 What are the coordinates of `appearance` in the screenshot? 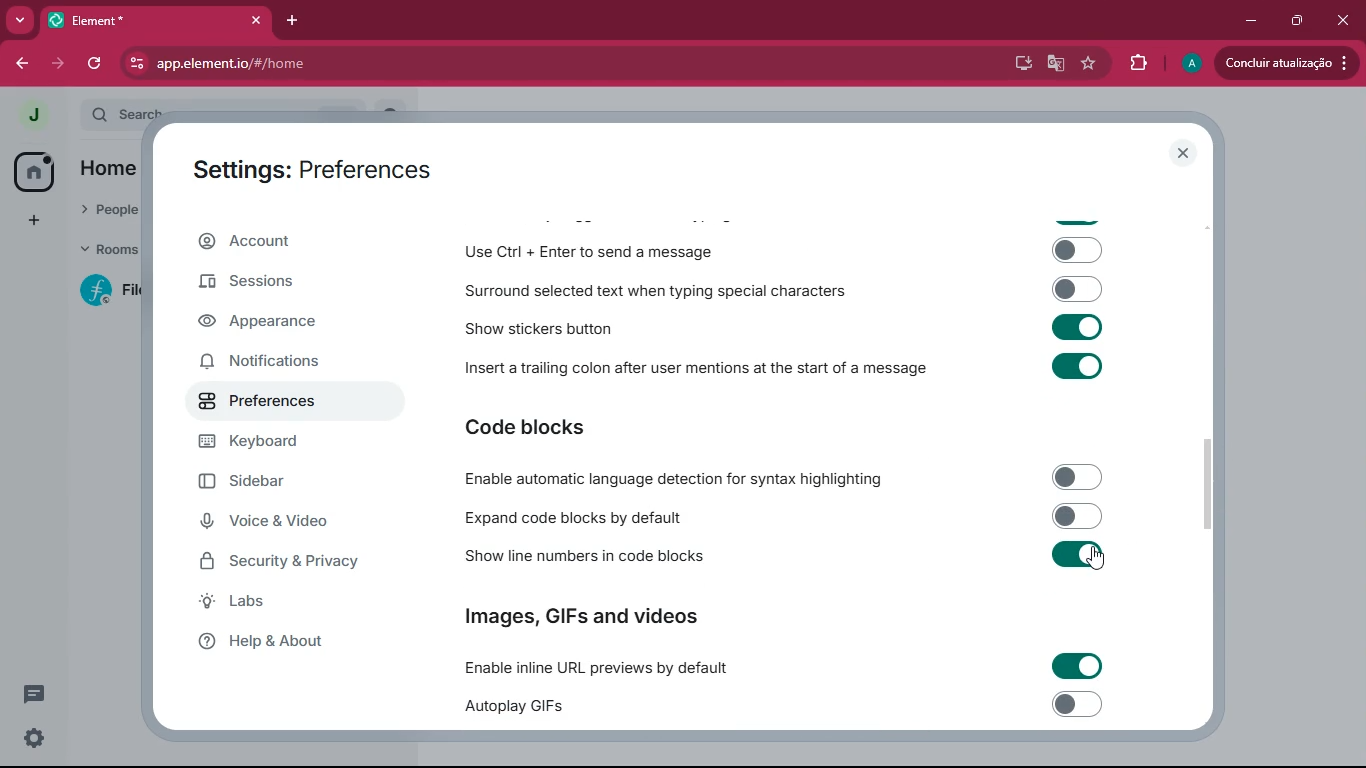 It's located at (267, 323).